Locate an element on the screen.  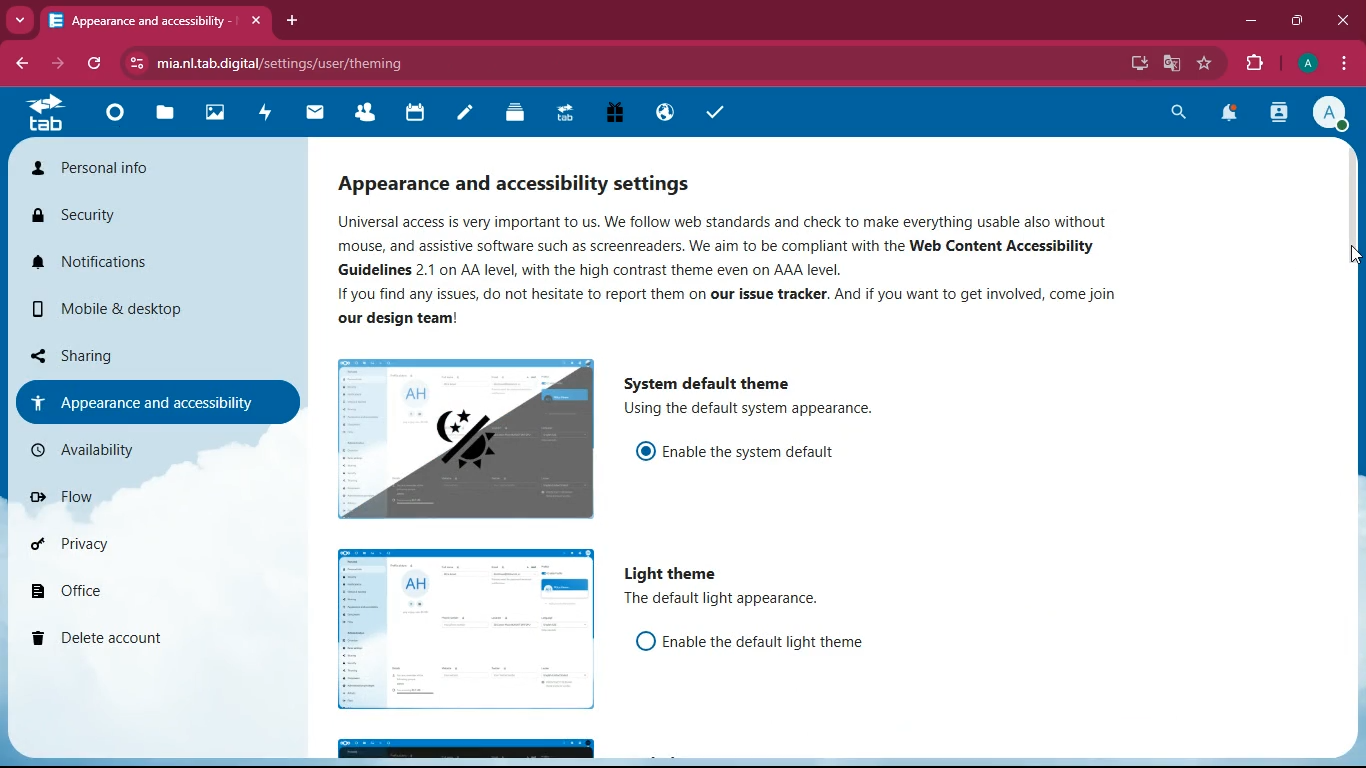
off is located at coordinates (646, 640).